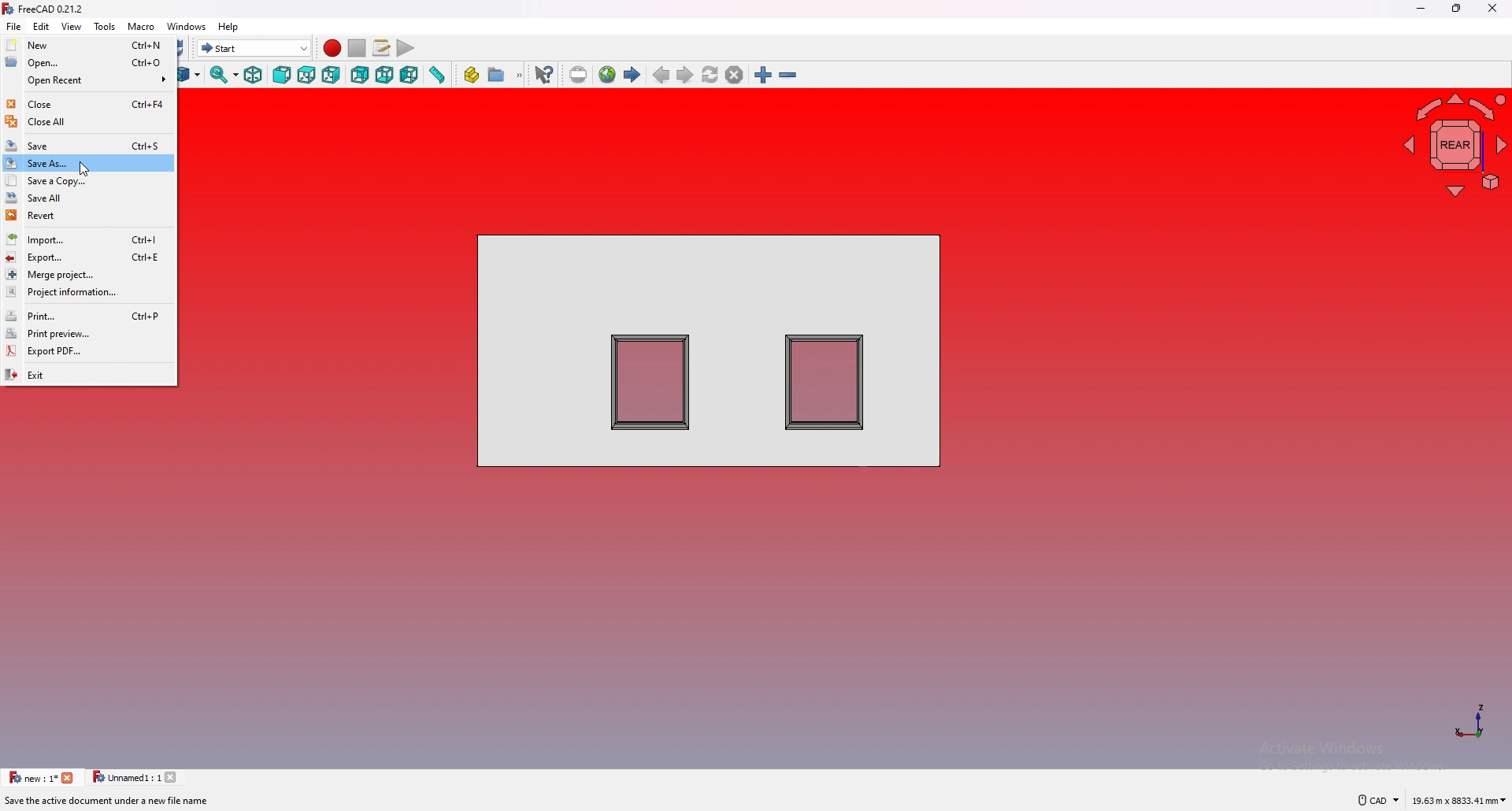 Image resolution: width=1512 pixels, height=811 pixels. I want to click on view, so click(72, 26).